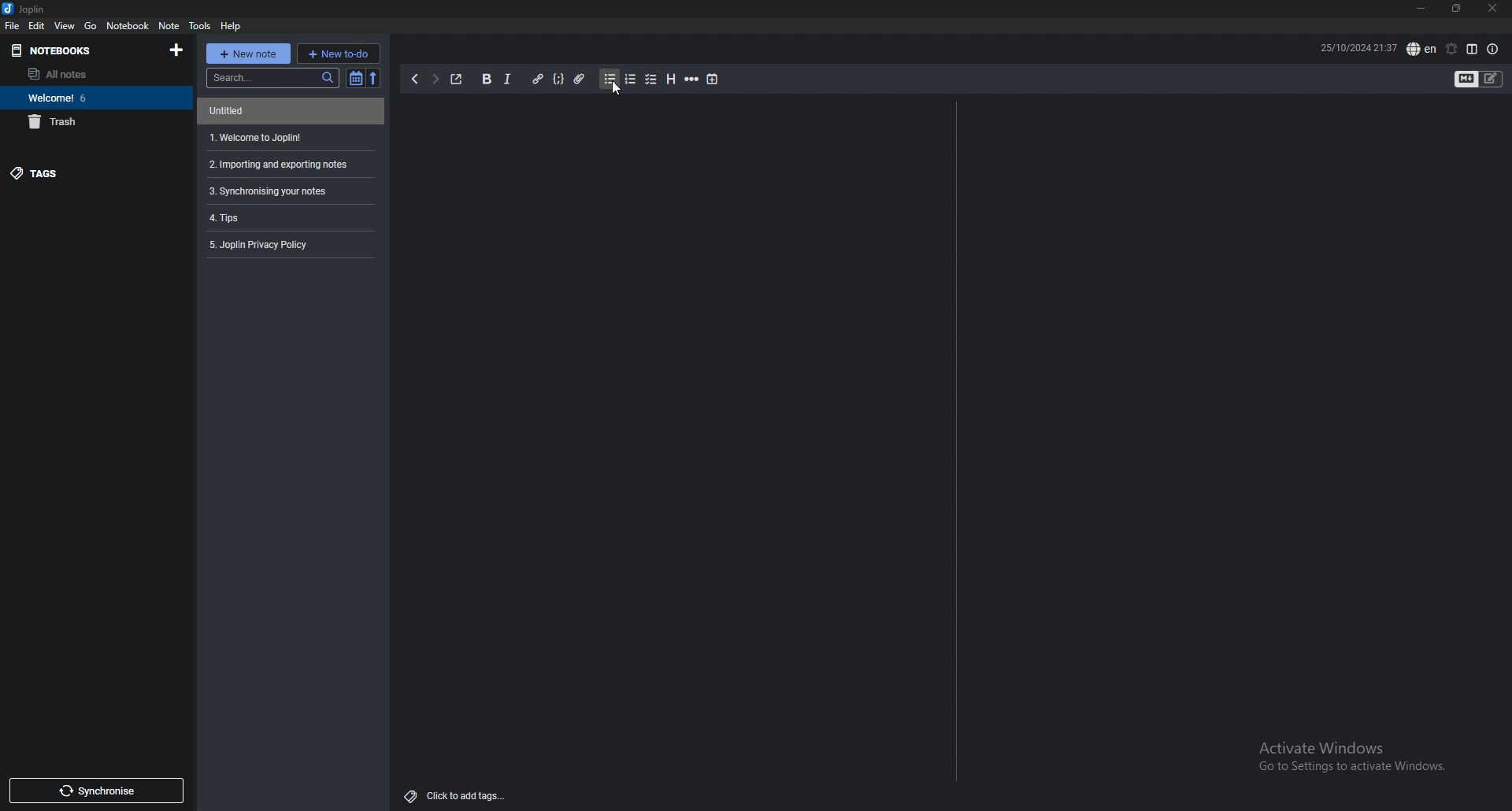  What do you see at coordinates (57, 74) in the screenshot?
I see `All notes` at bounding box center [57, 74].